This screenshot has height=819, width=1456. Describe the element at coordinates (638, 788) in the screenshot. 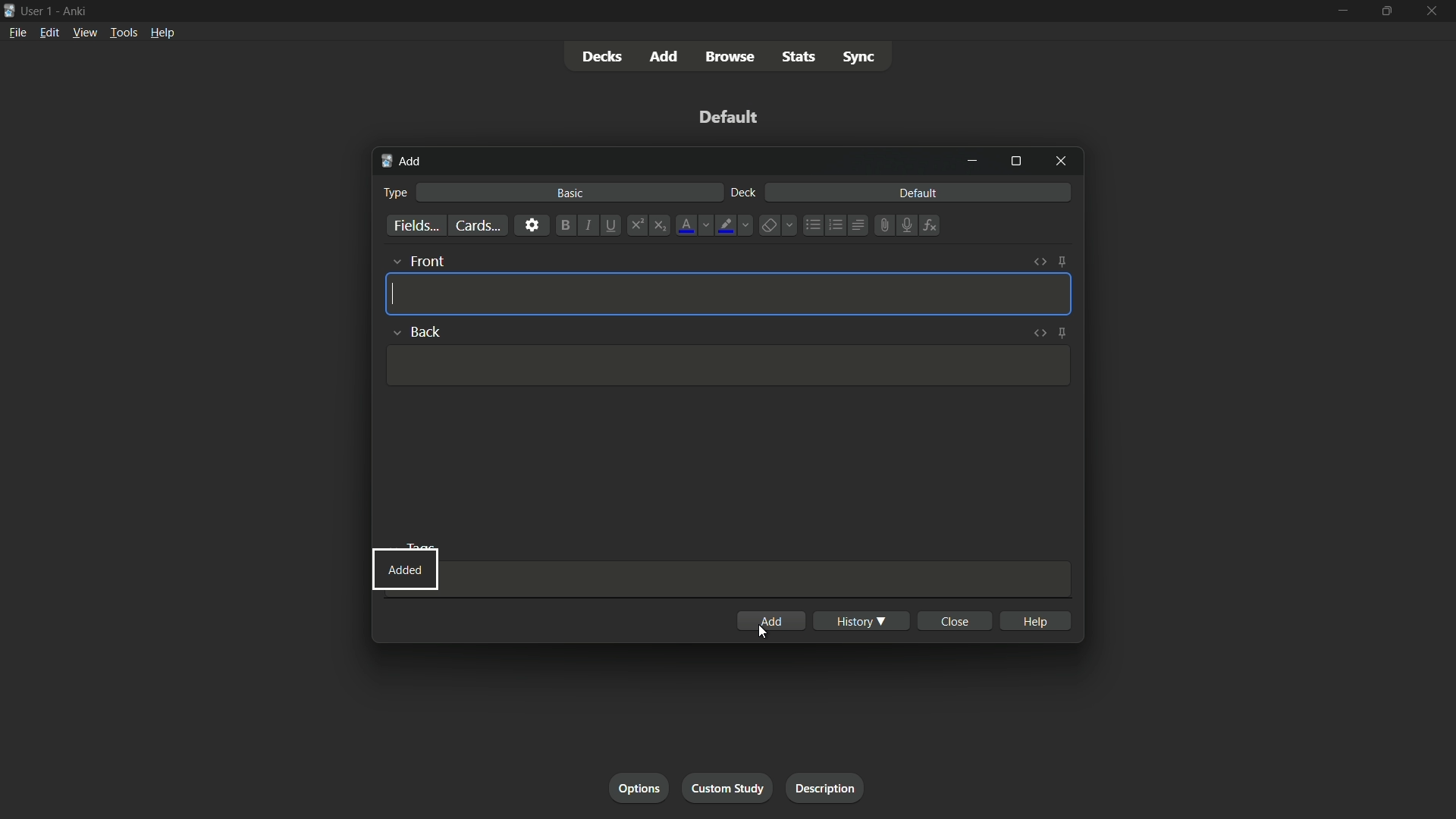

I see `options` at that location.